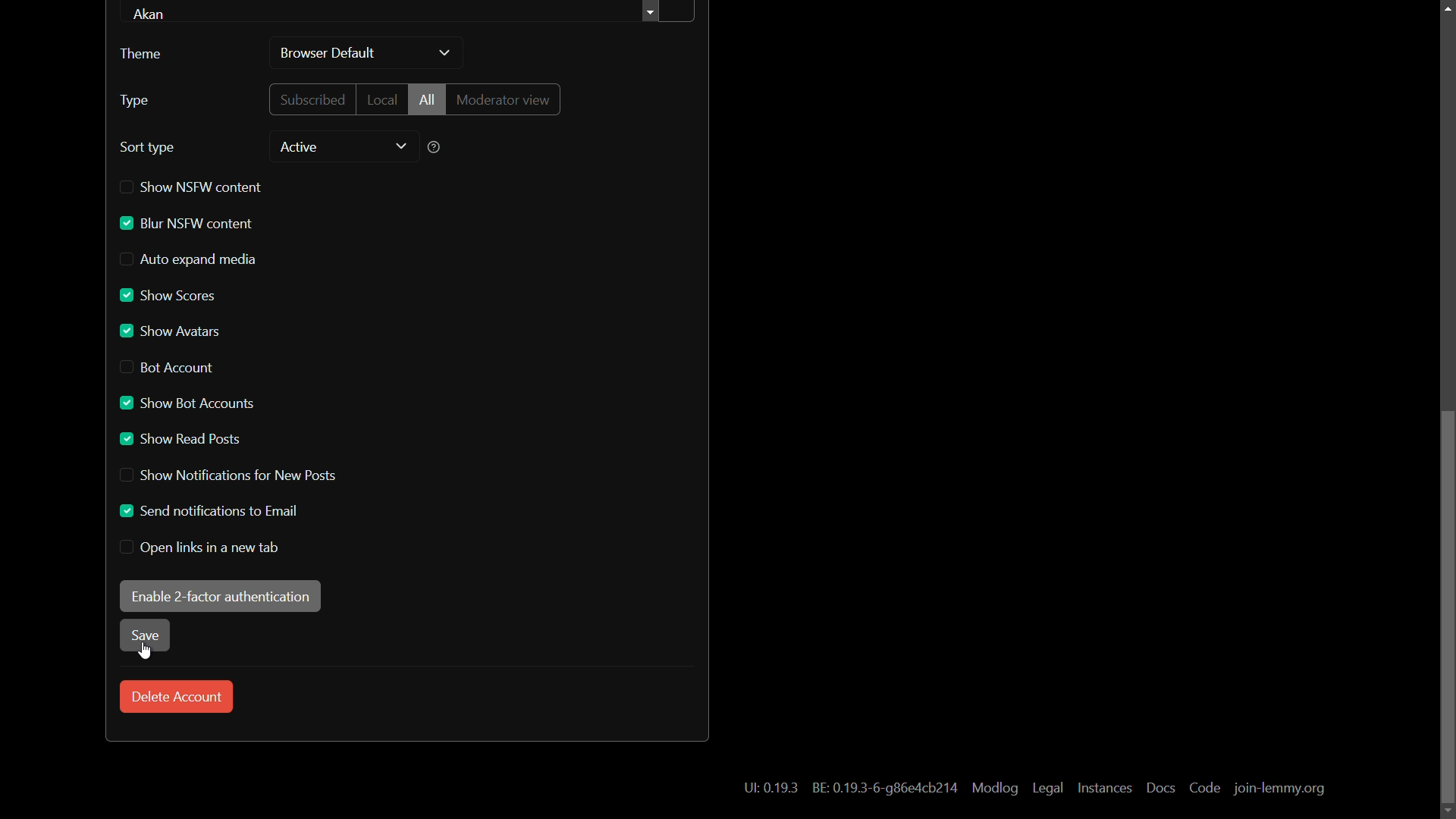 The image size is (1456, 819). Describe the element at coordinates (192, 187) in the screenshot. I see `show nsfw content` at that location.